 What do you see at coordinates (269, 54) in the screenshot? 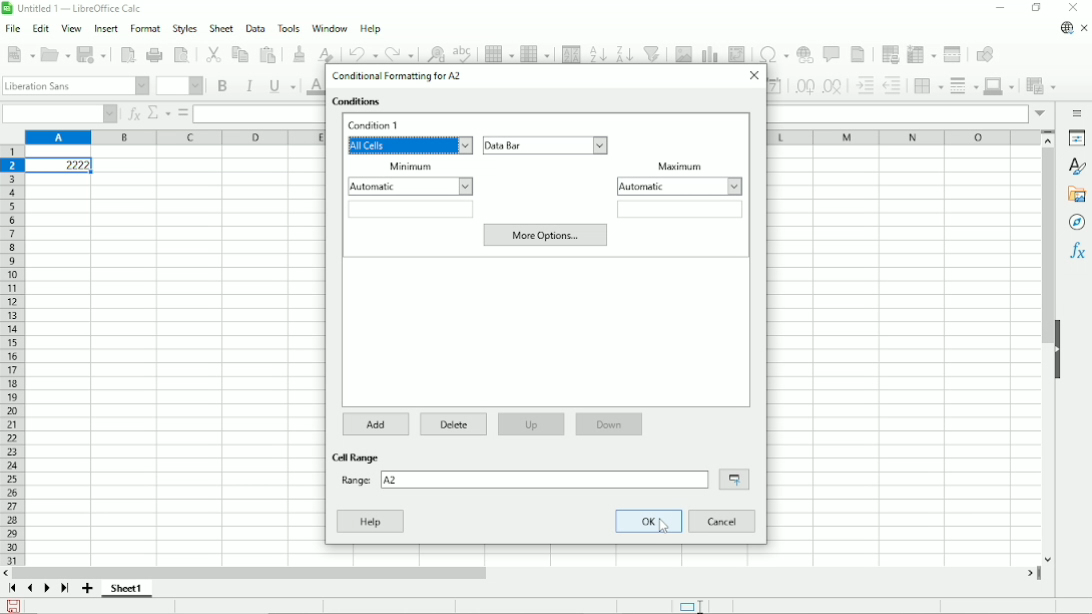
I see `Paste` at bounding box center [269, 54].